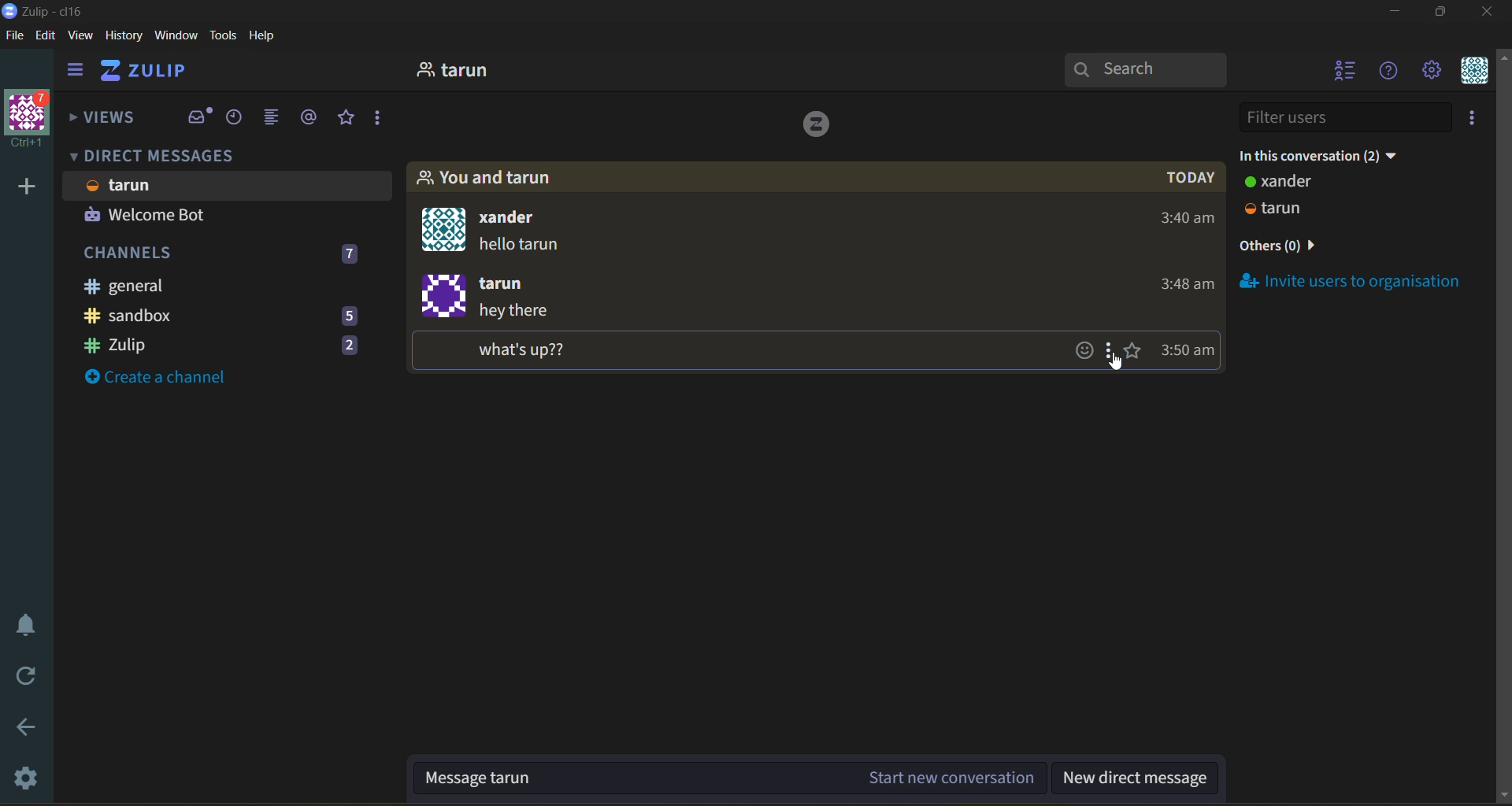 This screenshot has height=806, width=1512. What do you see at coordinates (1138, 353) in the screenshot?
I see `star this message` at bounding box center [1138, 353].